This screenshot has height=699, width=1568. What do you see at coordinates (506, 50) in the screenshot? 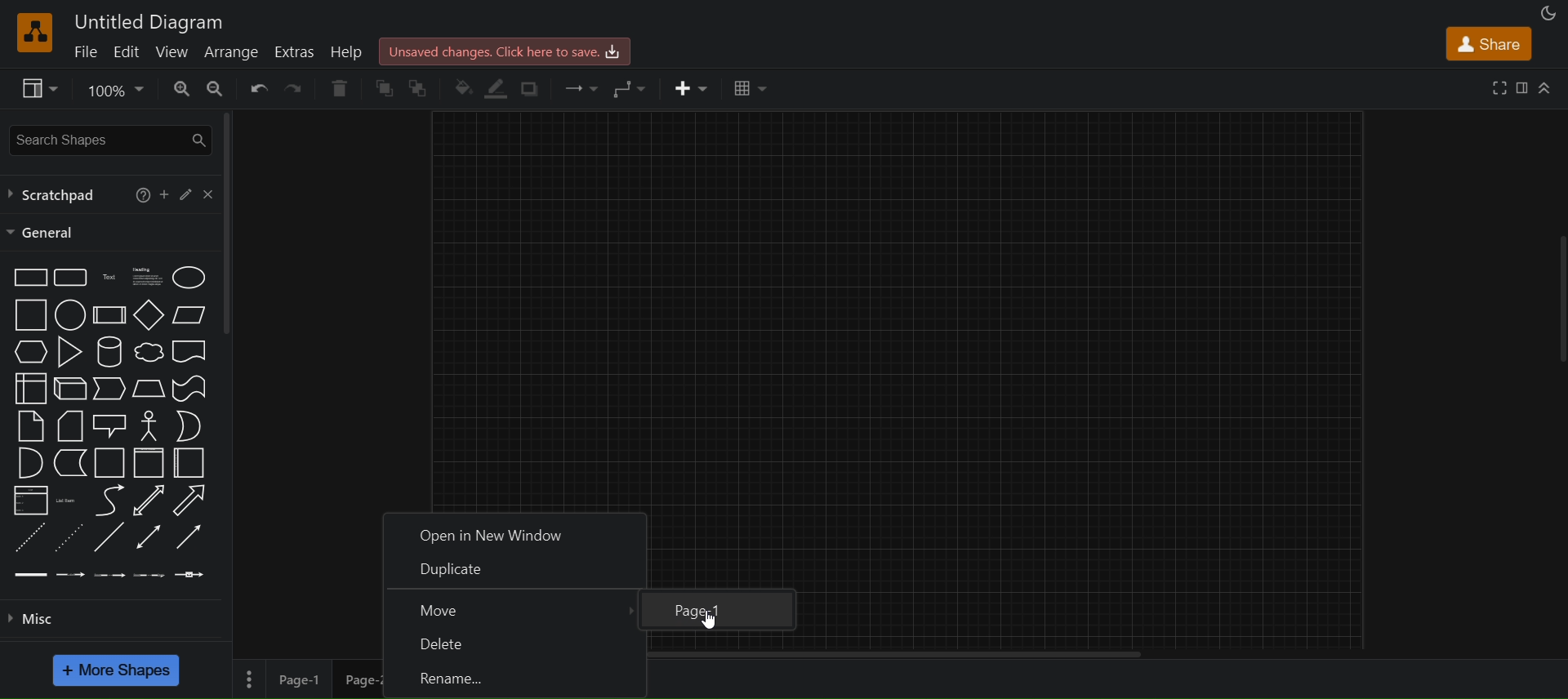
I see `click here to save` at bounding box center [506, 50].